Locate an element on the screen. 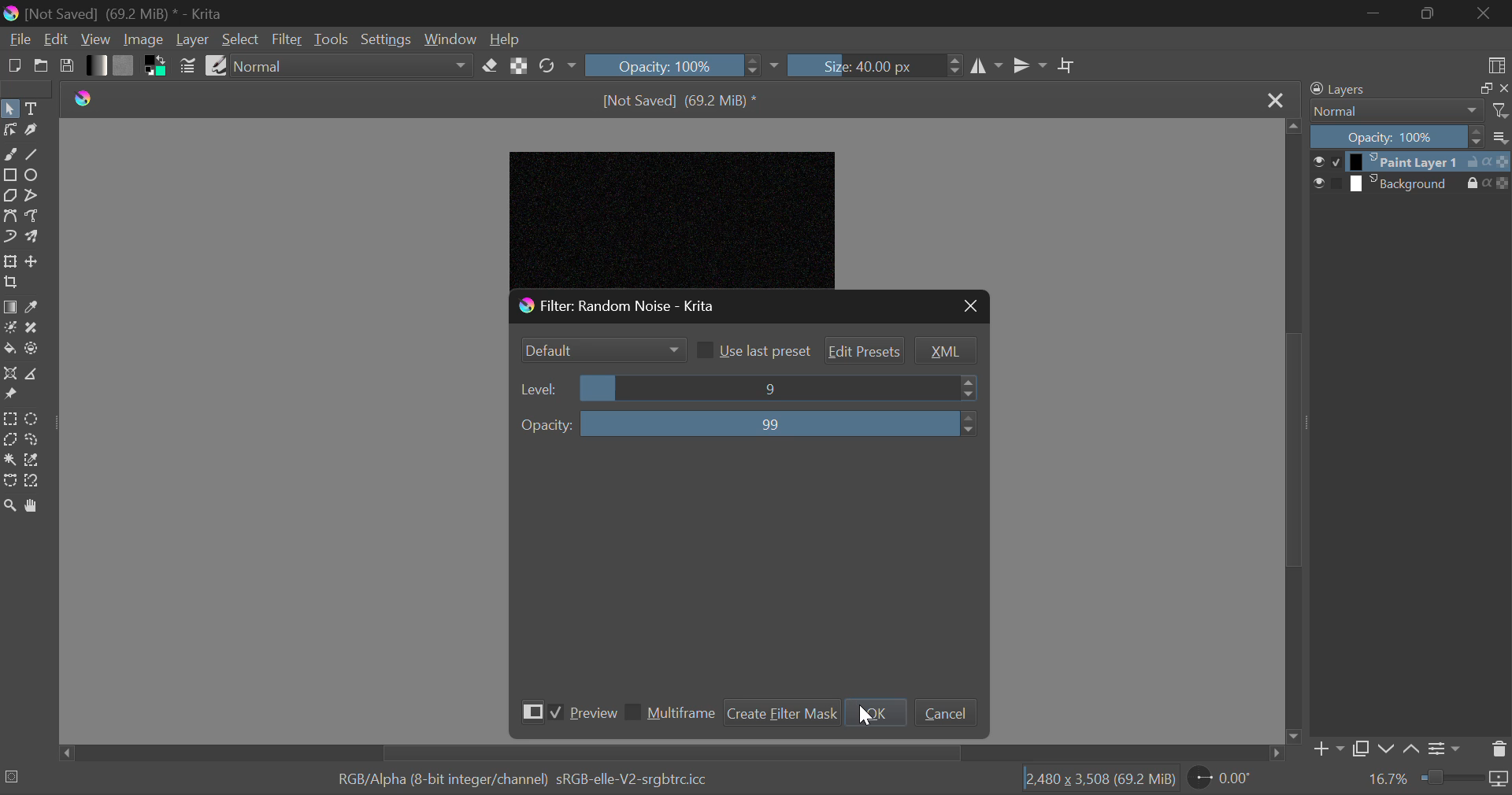 The width and height of the screenshot is (1512, 795). Multibrush Tool is located at coordinates (32, 238).